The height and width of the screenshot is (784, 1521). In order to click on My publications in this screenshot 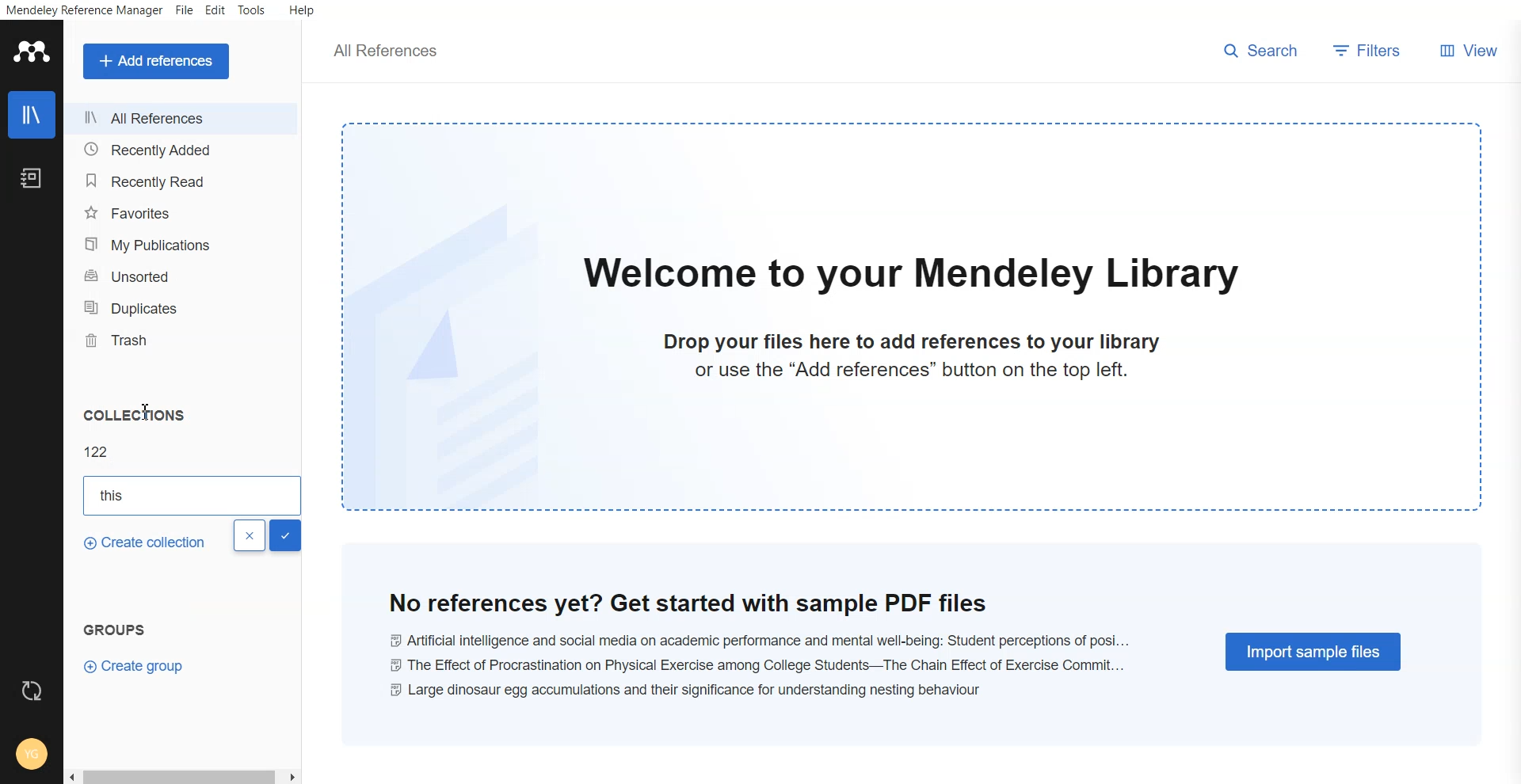, I will do `click(182, 244)`.